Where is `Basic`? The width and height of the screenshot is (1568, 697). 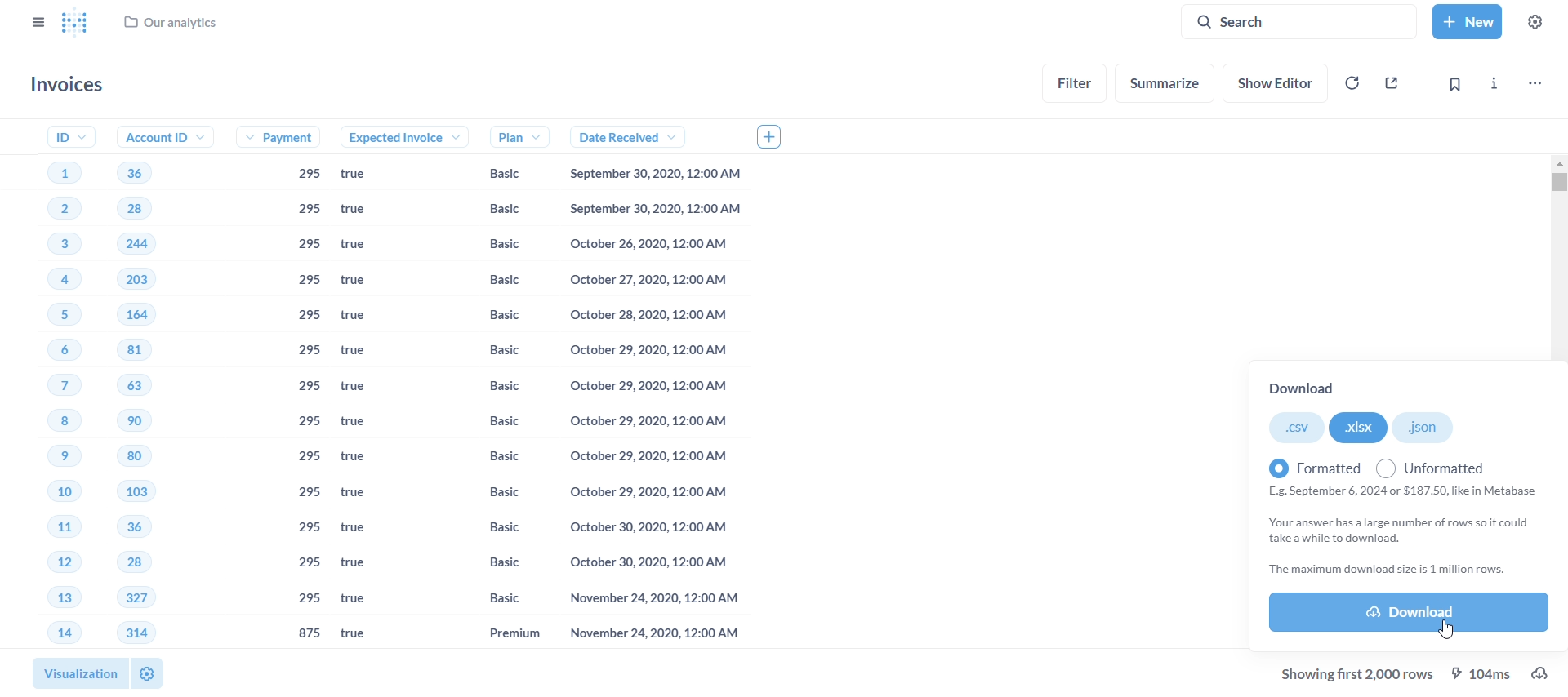 Basic is located at coordinates (492, 352).